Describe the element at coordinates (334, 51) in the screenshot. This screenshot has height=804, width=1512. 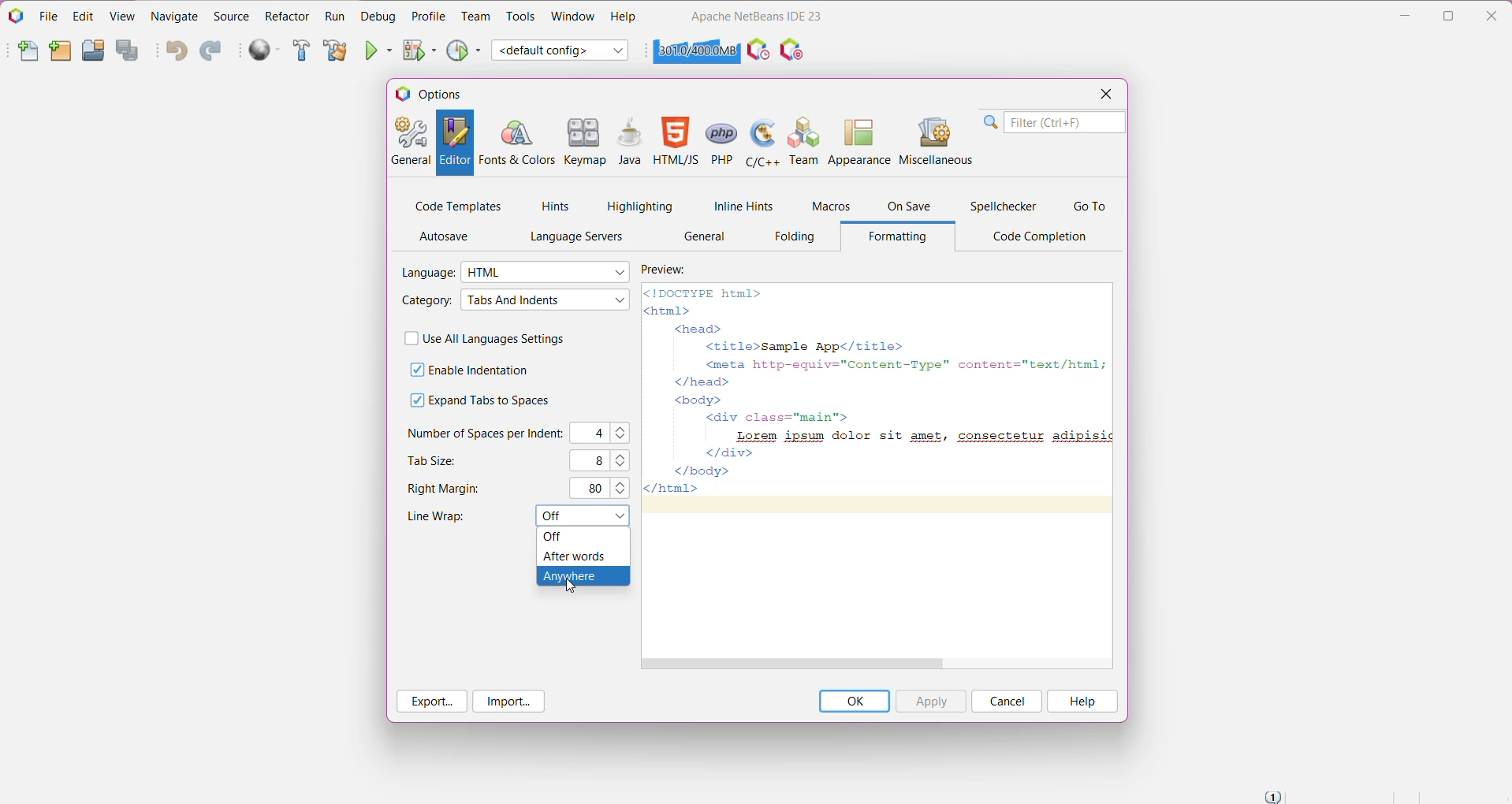
I see `Clean and Build Project` at that location.